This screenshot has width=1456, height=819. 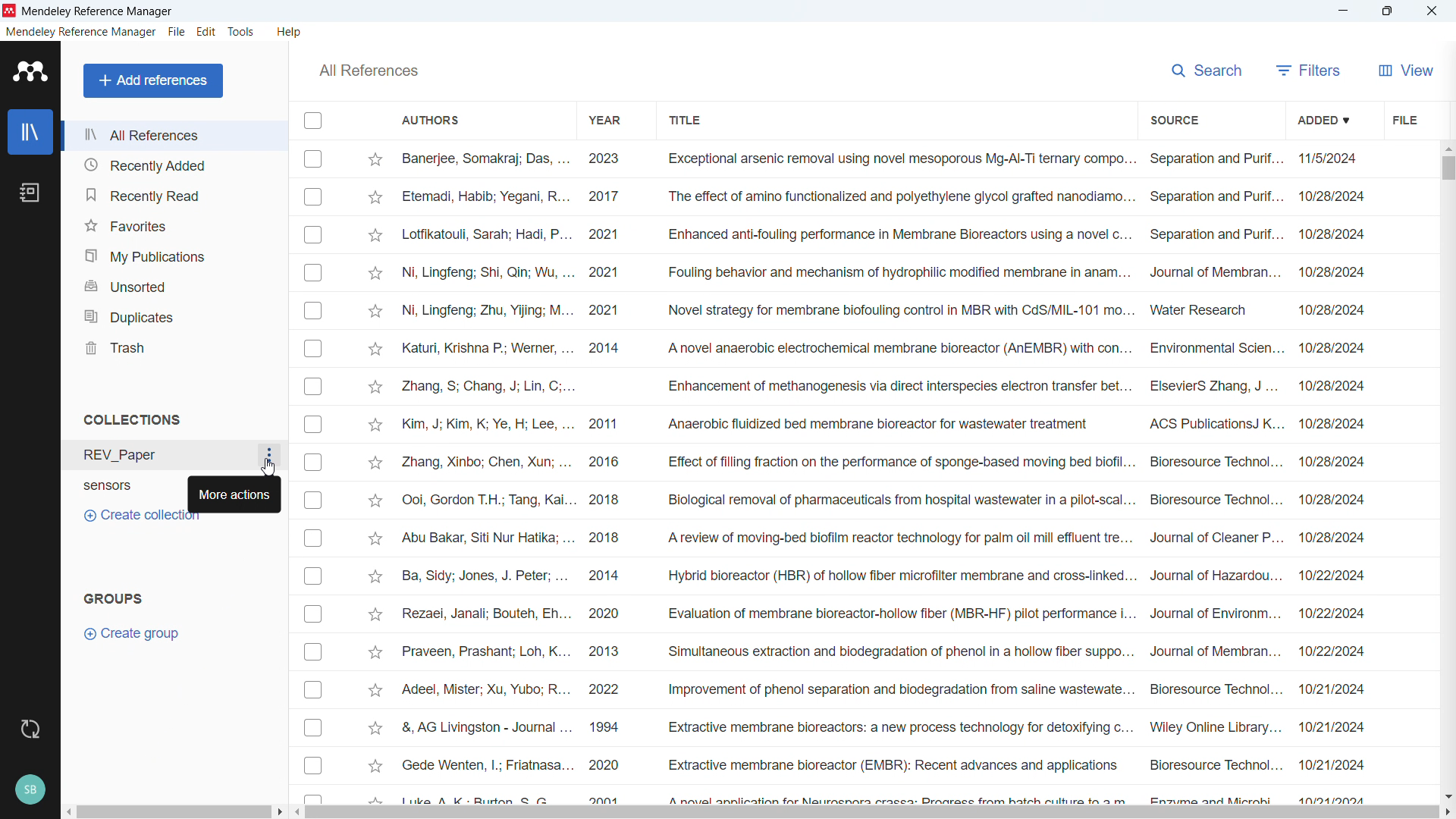 What do you see at coordinates (313, 652) in the screenshot?
I see `Select respective publication` at bounding box center [313, 652].